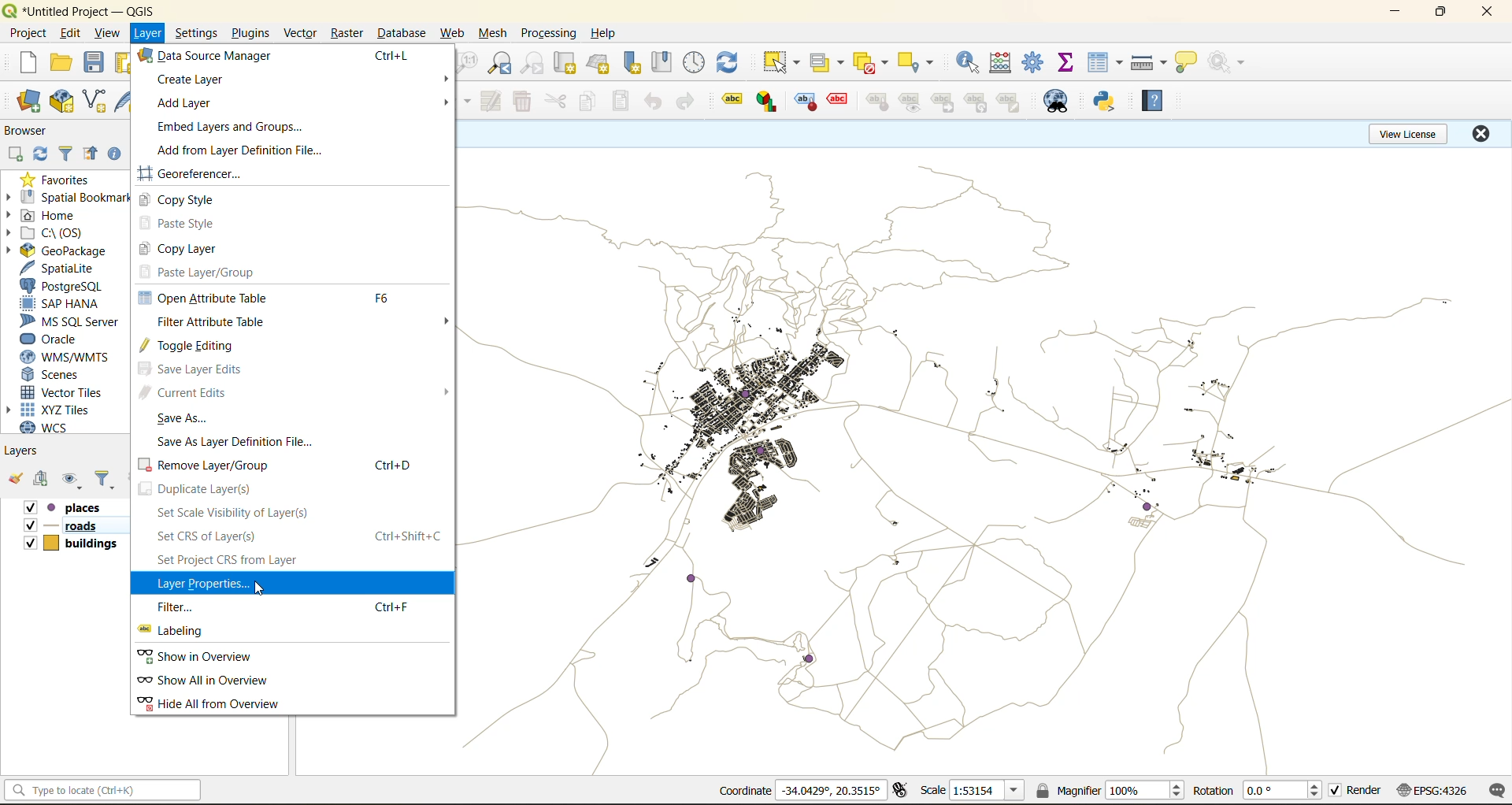 The height and width of the screenshot is (805, 1512). I want to click on close, so click(1479, 135).